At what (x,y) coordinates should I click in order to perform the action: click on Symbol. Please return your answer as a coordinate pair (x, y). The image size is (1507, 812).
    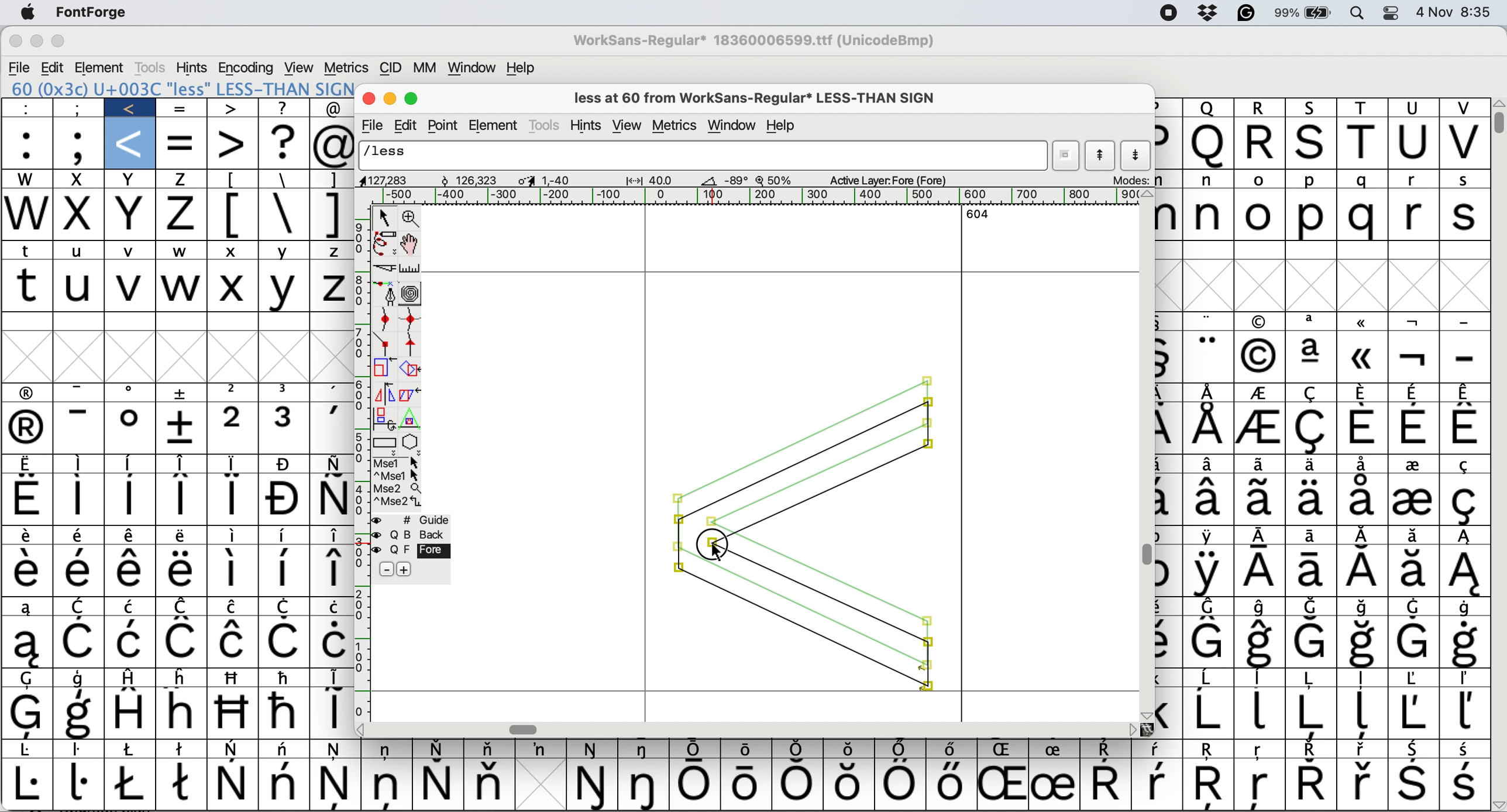
    Looking at the image, I should click on (236, 676).